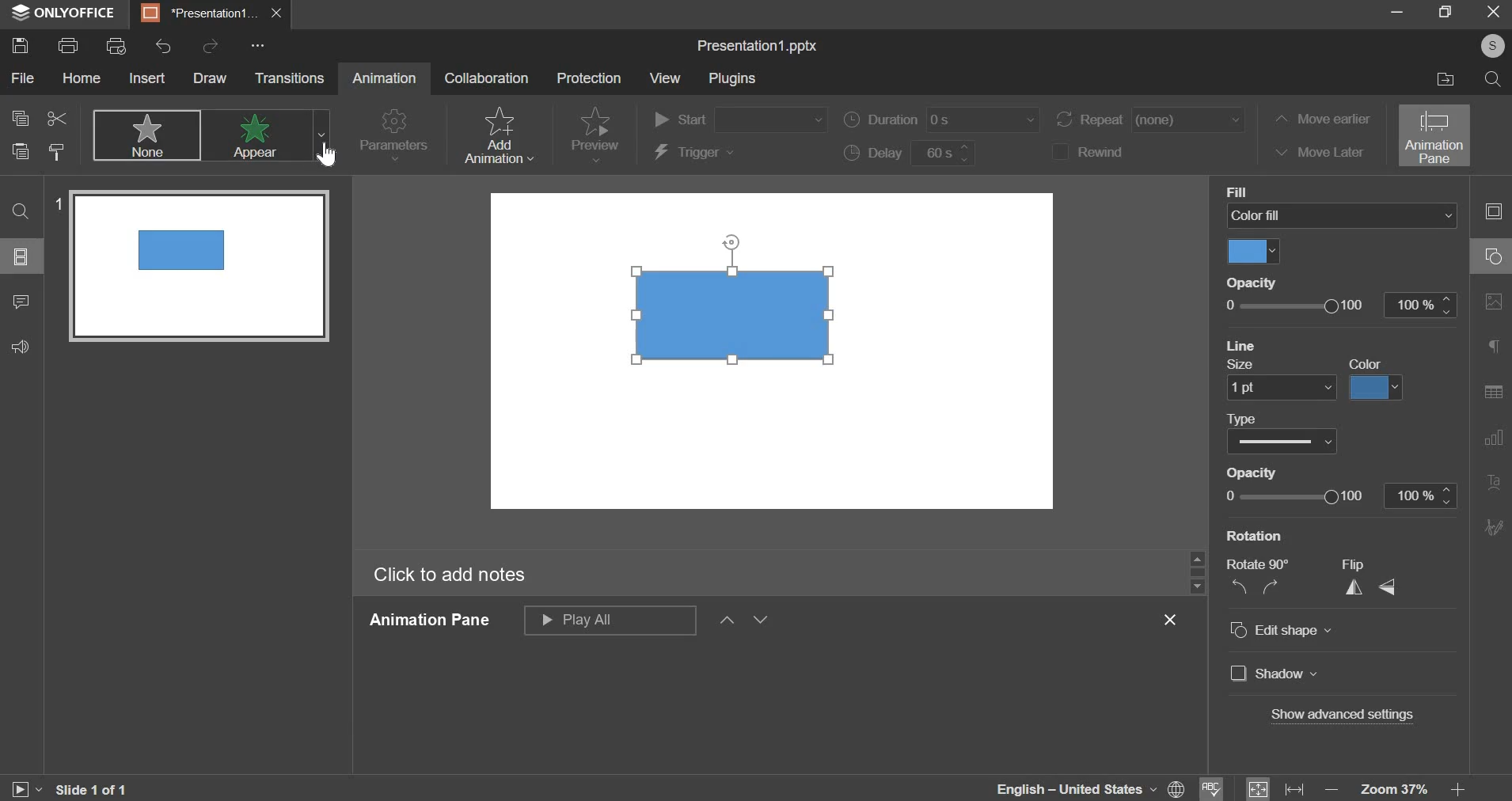  Describe the element at coordinates (1252, 536) in the screenshot. I see `Rotation` at that location.